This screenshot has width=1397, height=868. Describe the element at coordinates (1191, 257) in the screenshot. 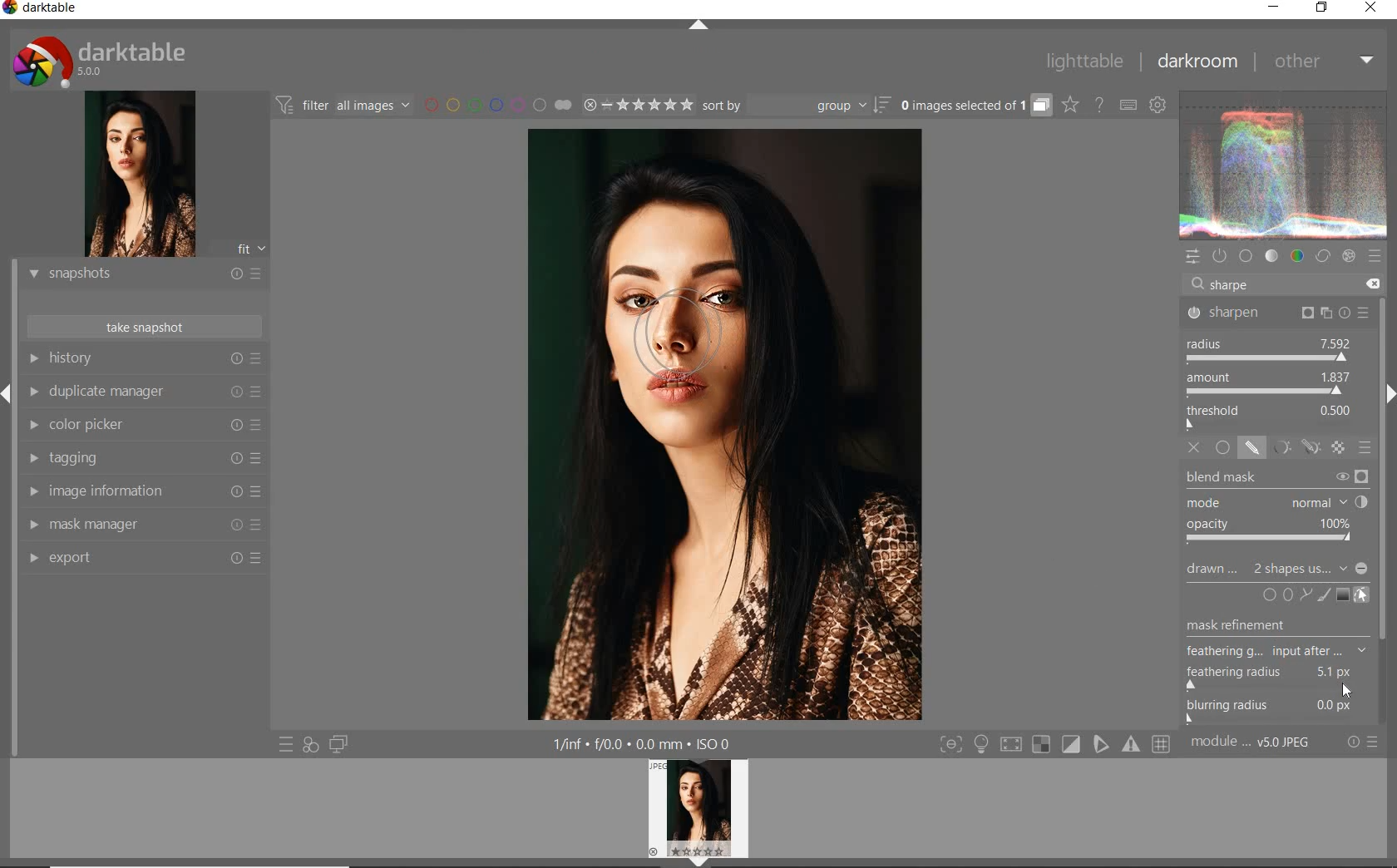

I see `quick access panel` at that location.